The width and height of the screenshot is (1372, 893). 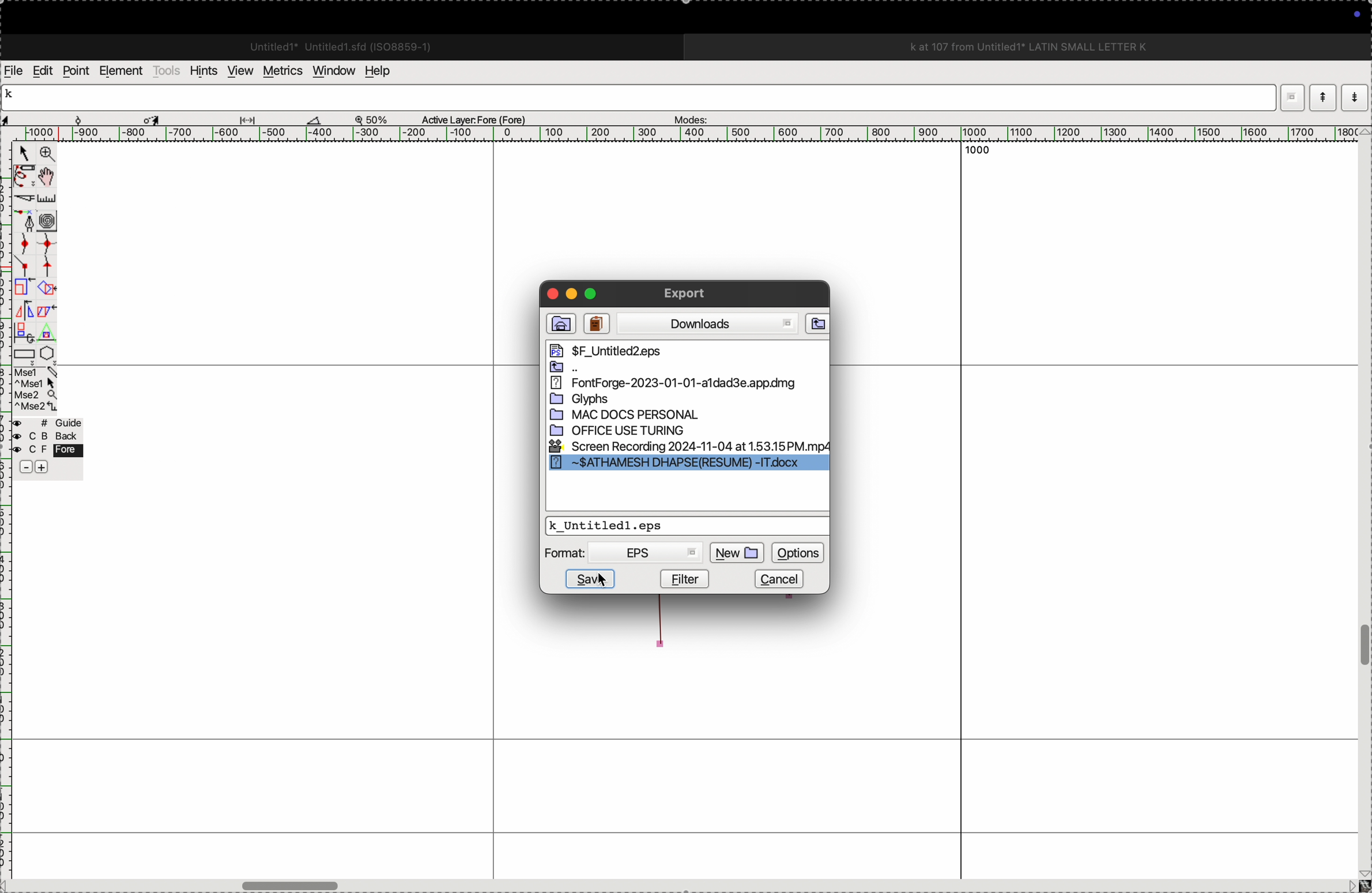 What do you see at coordinates (1363, 646) in the screenshot?
I see `toggle` at bounding box center [1363, 646].